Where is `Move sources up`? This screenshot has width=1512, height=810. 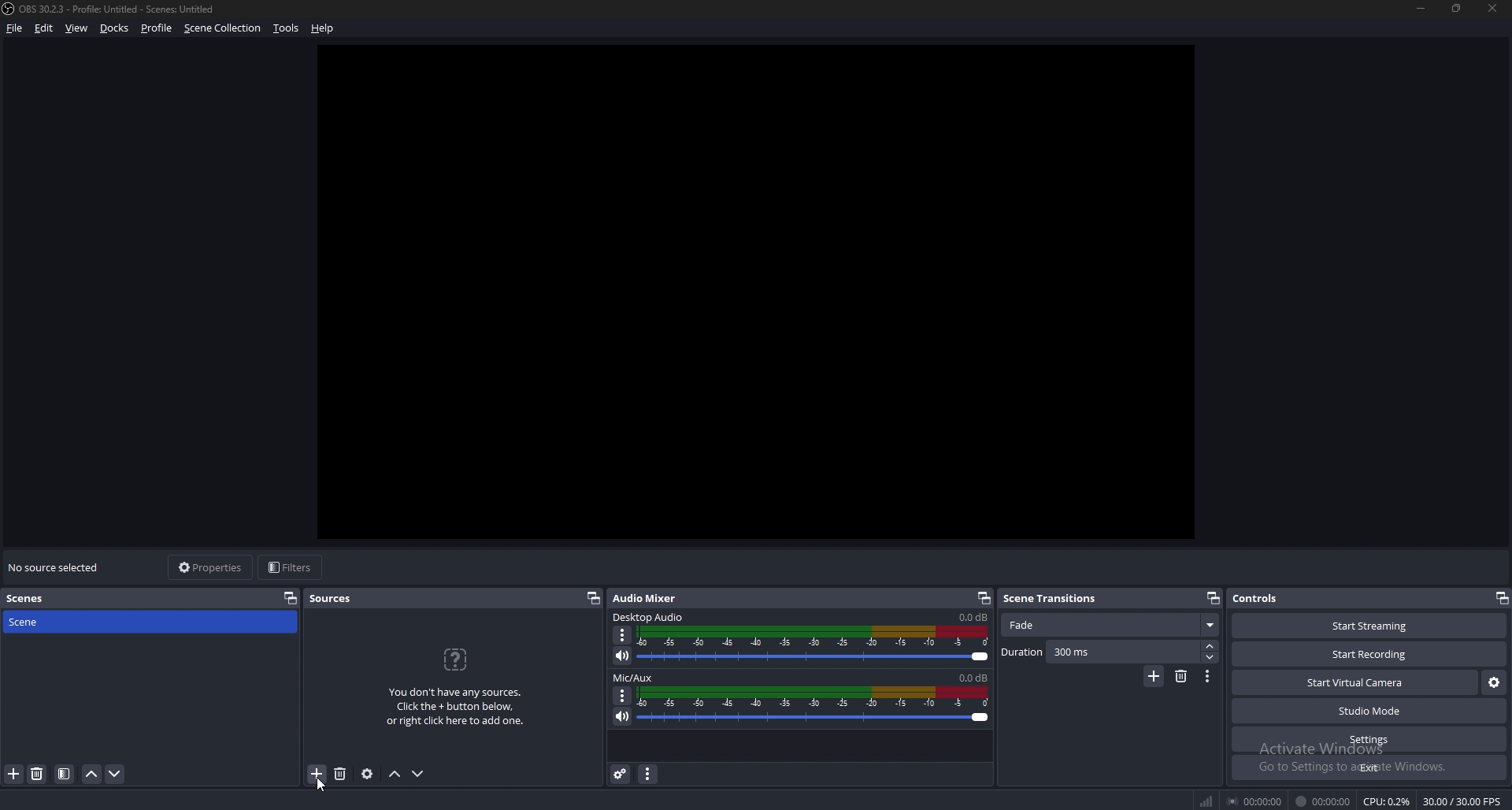 Move sources up is located at coordinates (395, 775).